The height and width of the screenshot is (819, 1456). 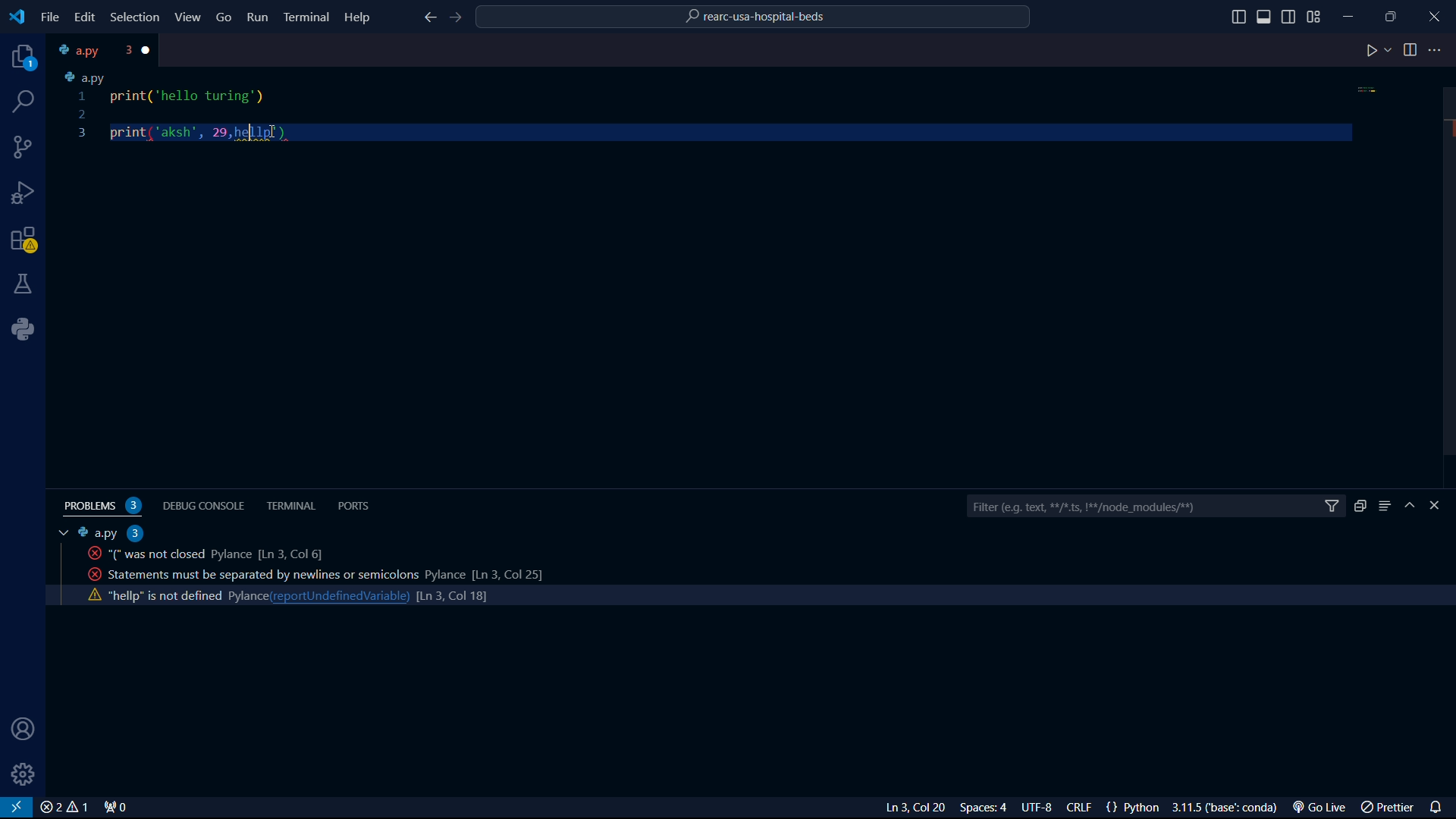 I want to click on toggle, so click(x=1410, y=50).